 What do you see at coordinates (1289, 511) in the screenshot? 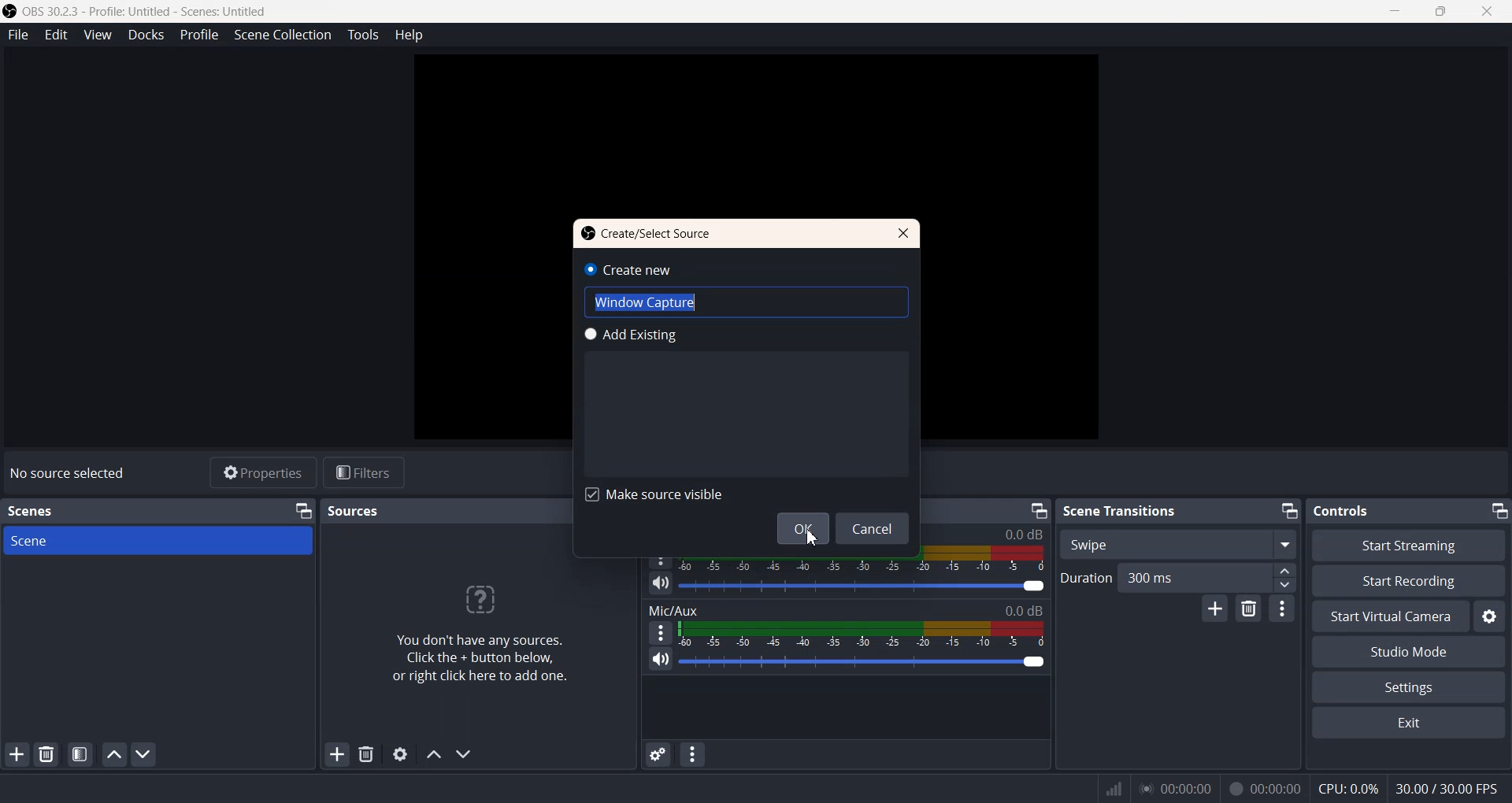
I see `Minimize` at bounding box center [1289, 511].